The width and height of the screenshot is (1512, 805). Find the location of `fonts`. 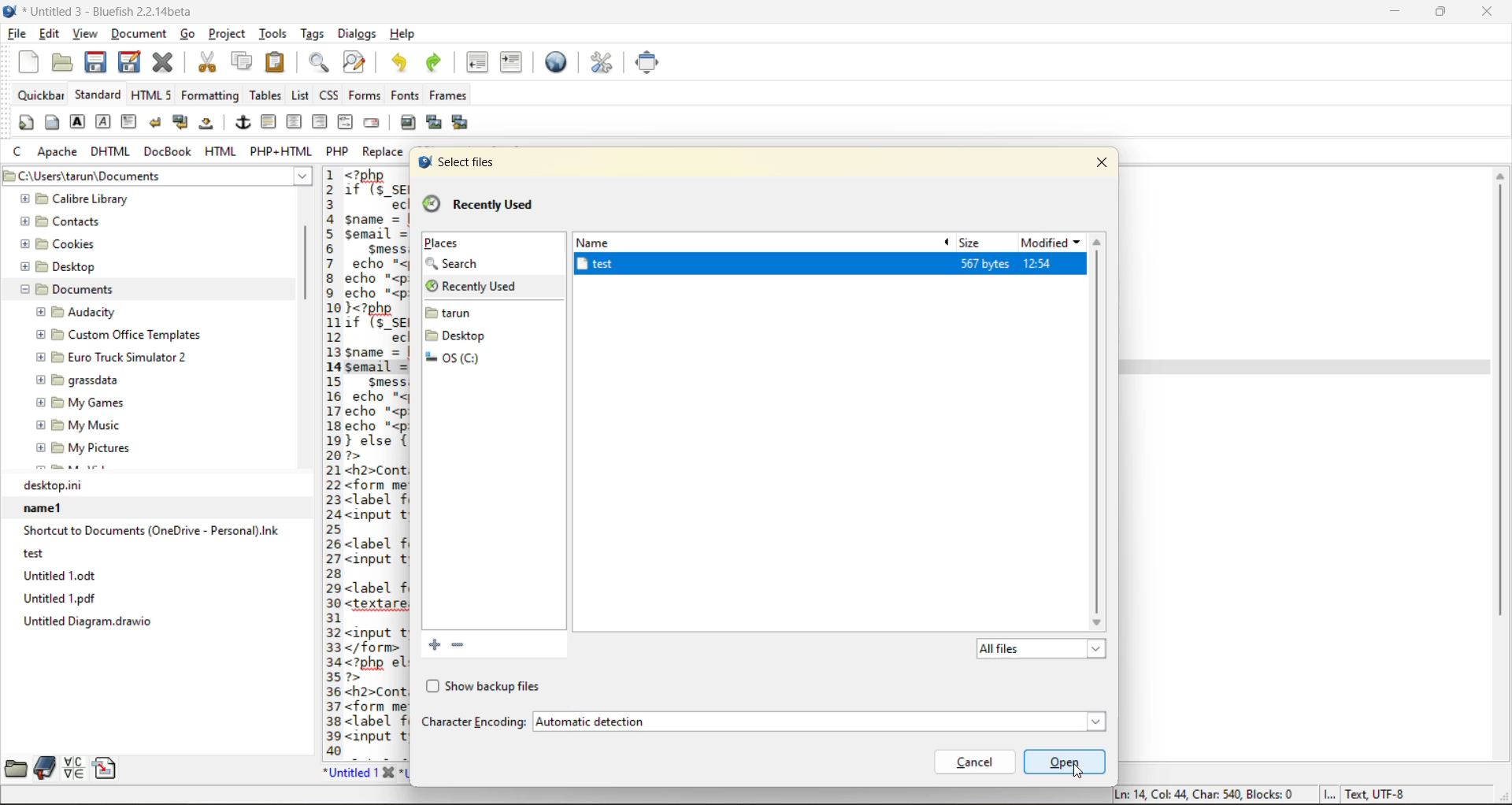

fonts is located at coordinates (402, 97).